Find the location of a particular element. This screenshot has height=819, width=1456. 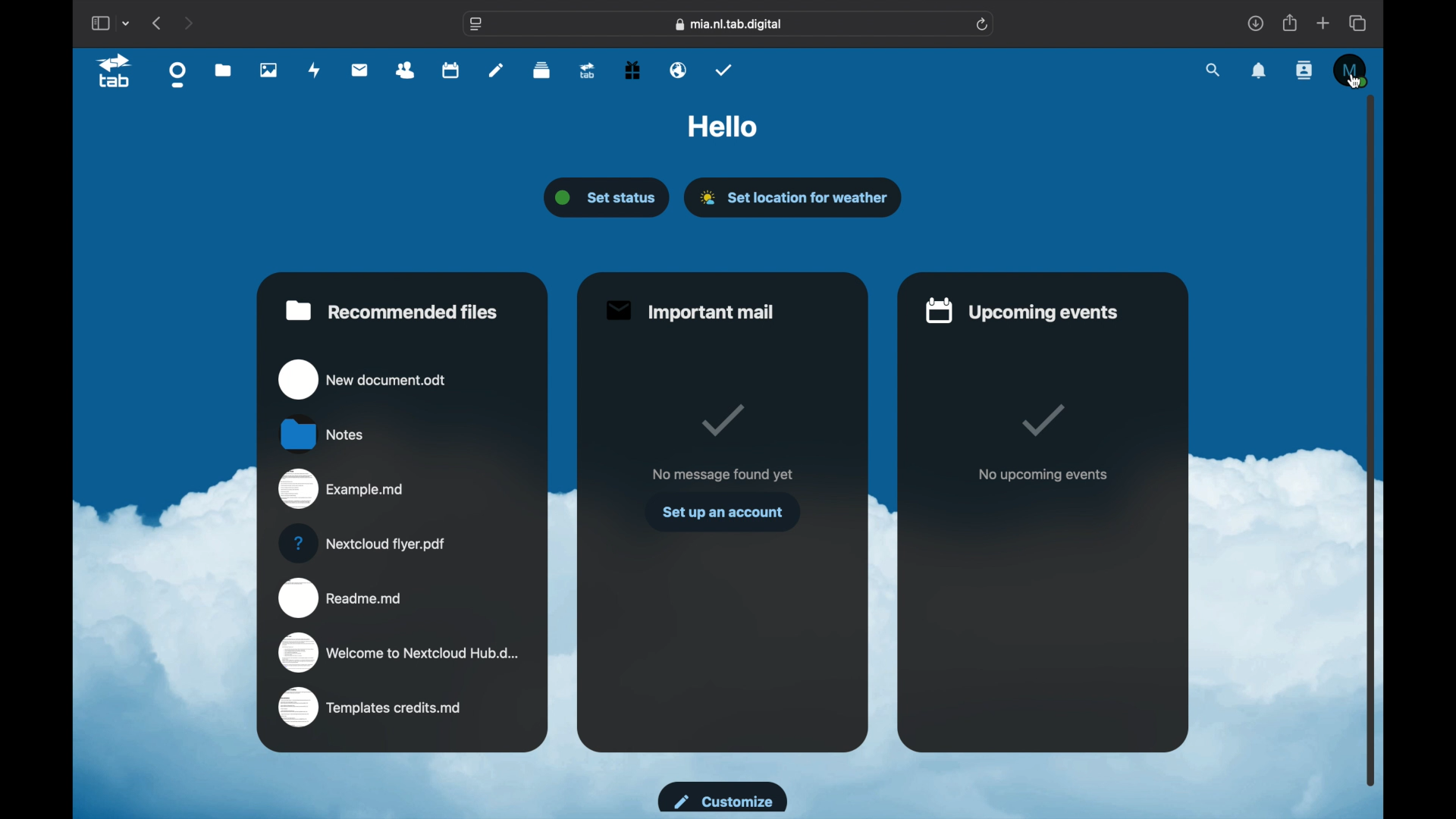

new tab is located at coordinates (1324, 23).